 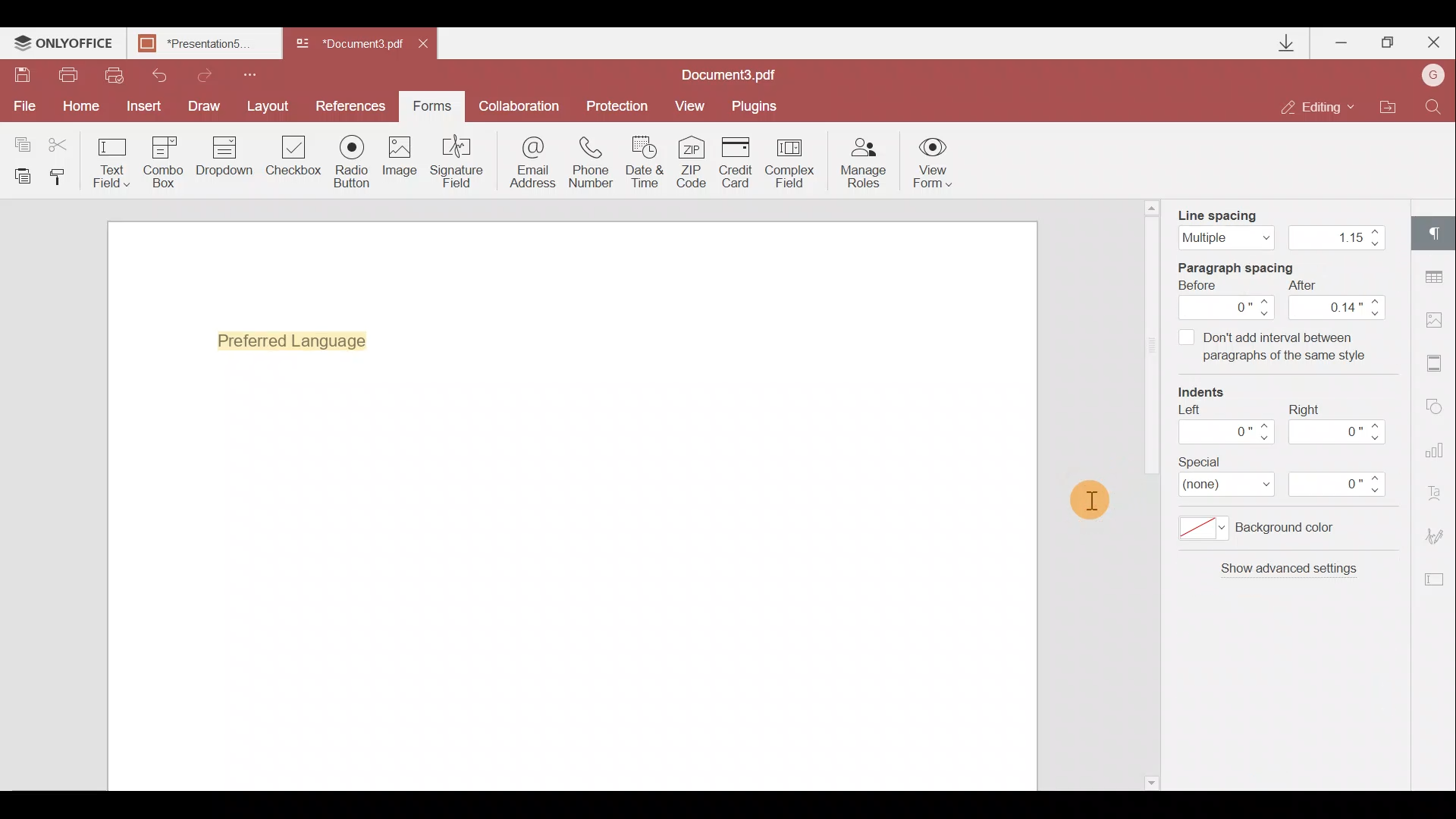 I want to click on Paragraph settings, so click(x=1438, y=228).